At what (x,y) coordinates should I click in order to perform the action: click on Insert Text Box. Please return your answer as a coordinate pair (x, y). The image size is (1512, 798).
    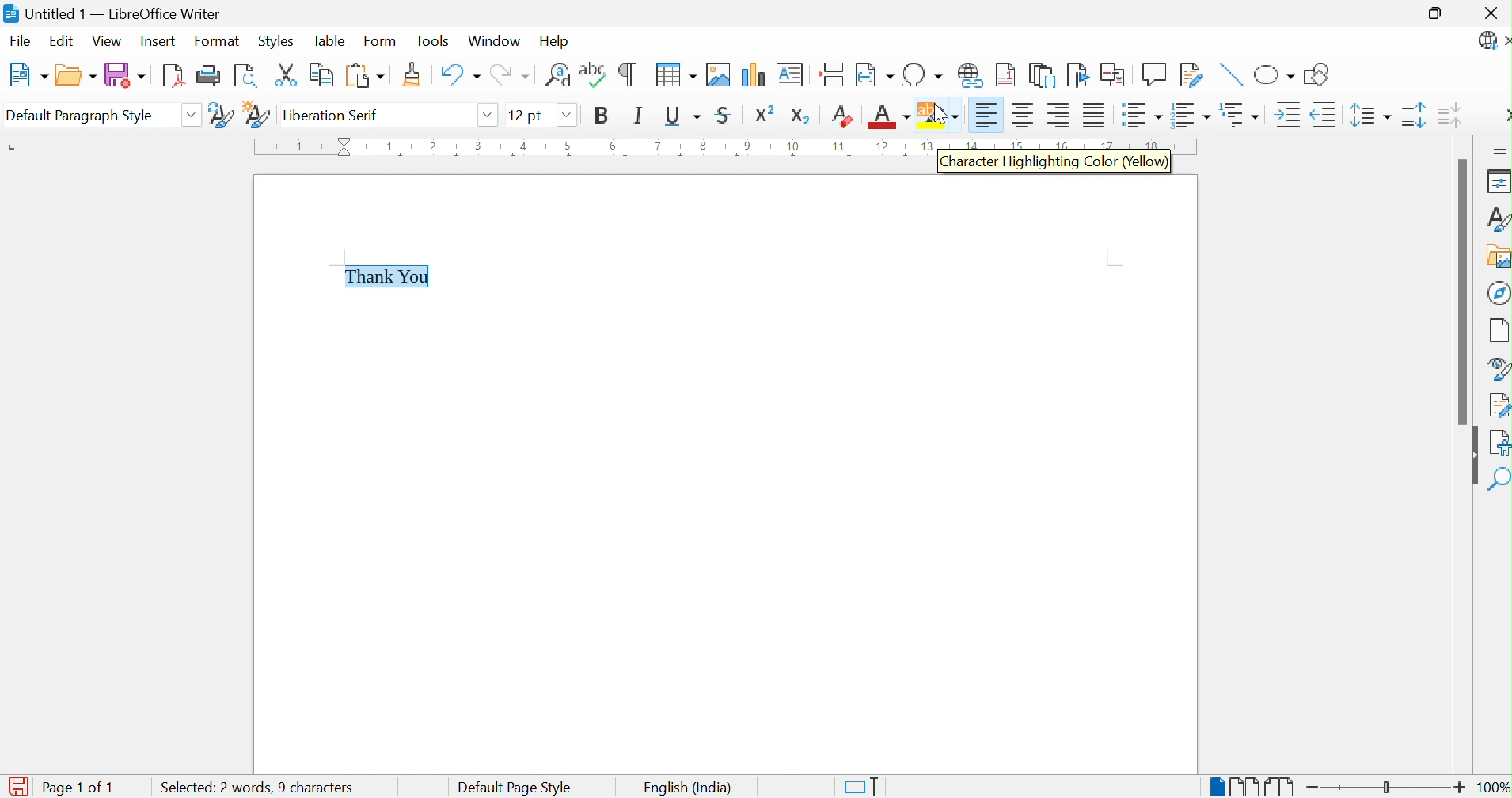
    Looking at the image, I should click on (787, 75).